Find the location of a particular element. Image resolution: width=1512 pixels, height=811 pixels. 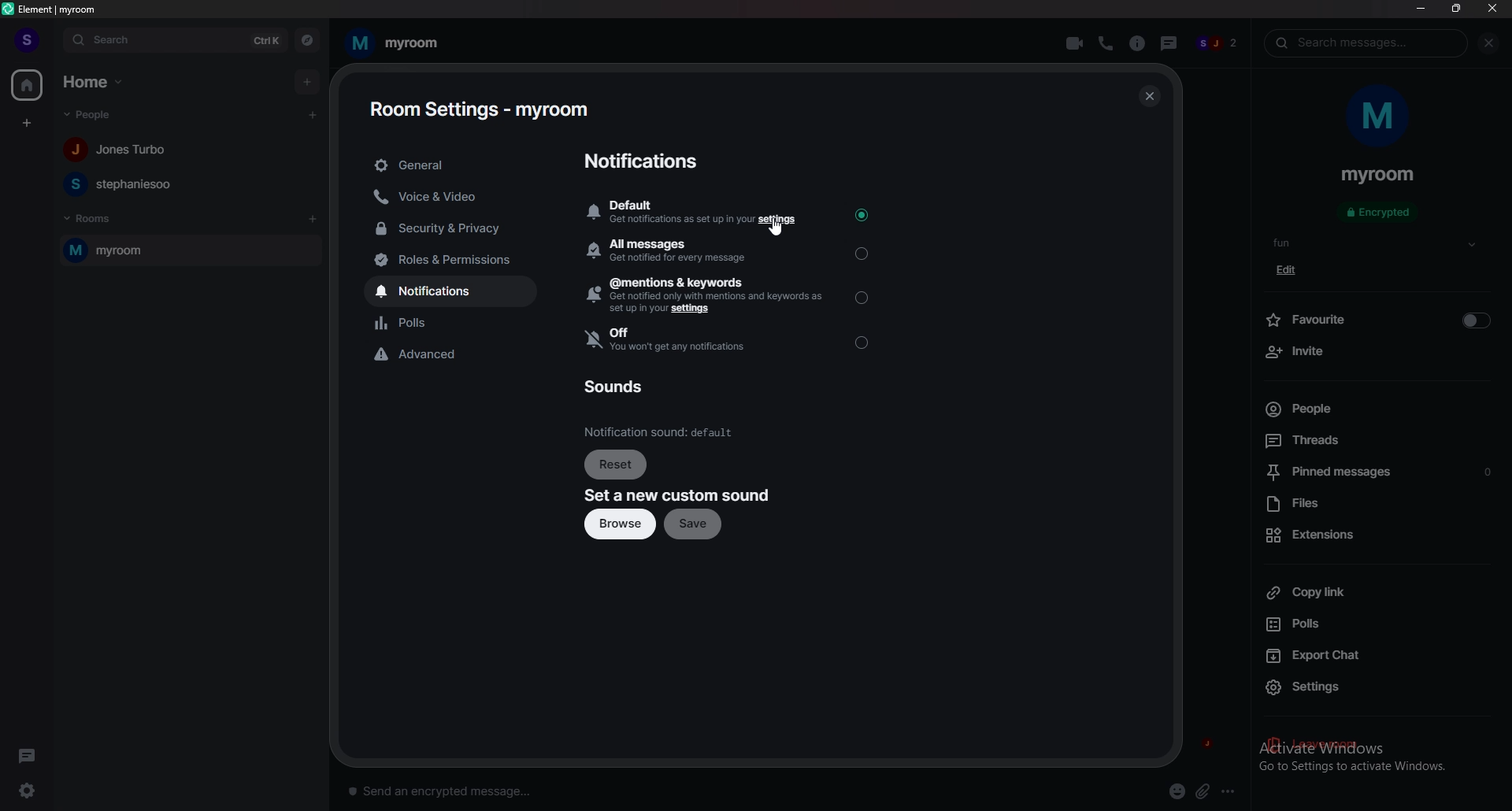

roles and permissions is located at coordinates (460, 261).